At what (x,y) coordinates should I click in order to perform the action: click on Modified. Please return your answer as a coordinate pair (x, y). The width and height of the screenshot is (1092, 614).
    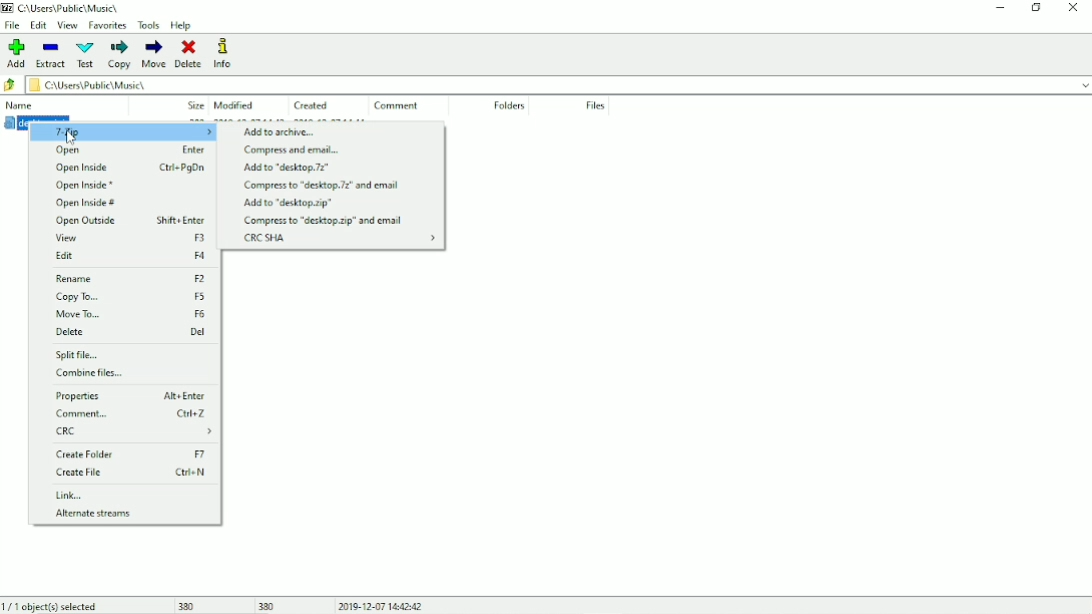
    Looking at the image, I should click on (234, 105).